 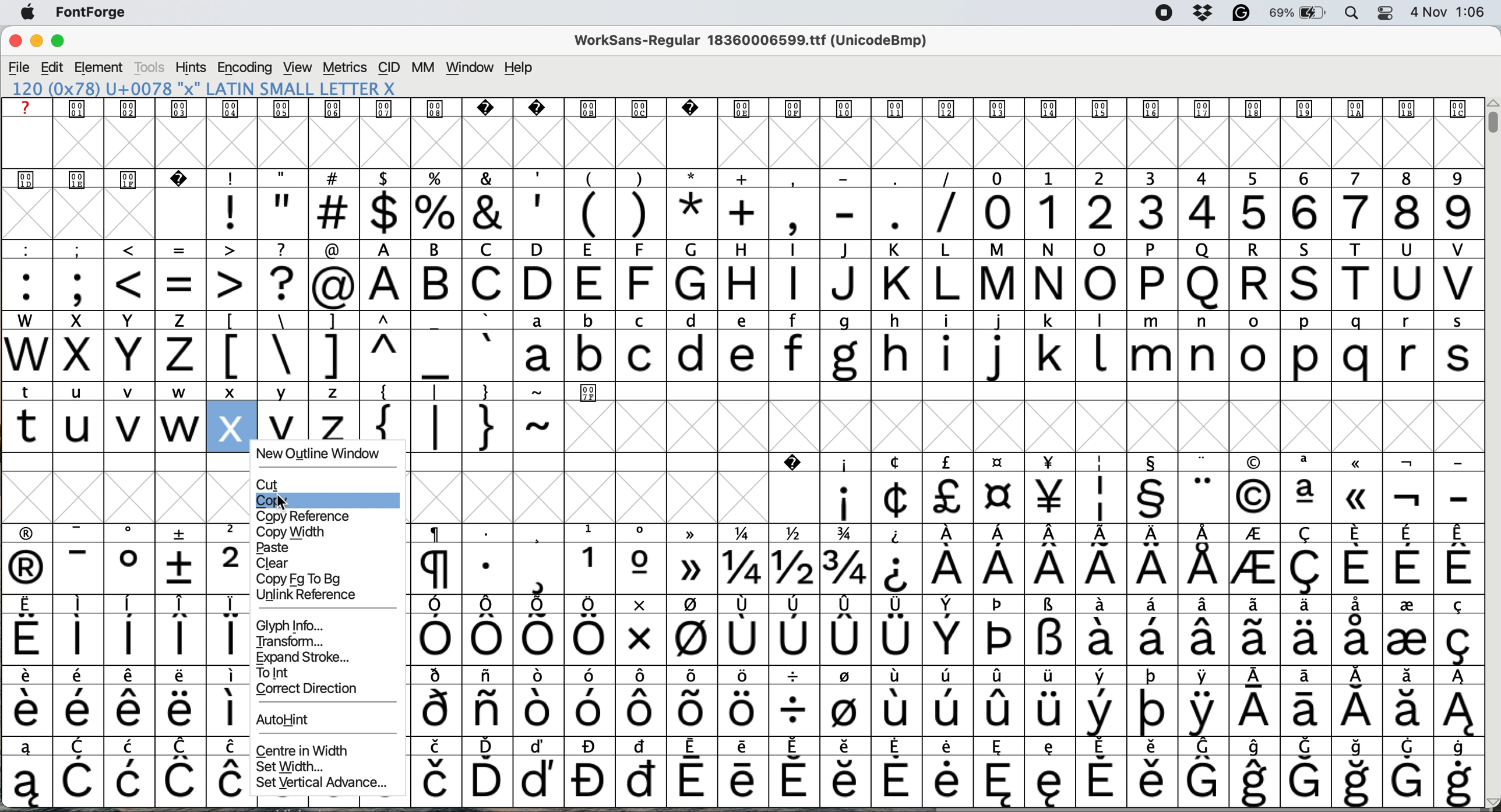 I want to click on expand stroke, so click(x=301, y=657).